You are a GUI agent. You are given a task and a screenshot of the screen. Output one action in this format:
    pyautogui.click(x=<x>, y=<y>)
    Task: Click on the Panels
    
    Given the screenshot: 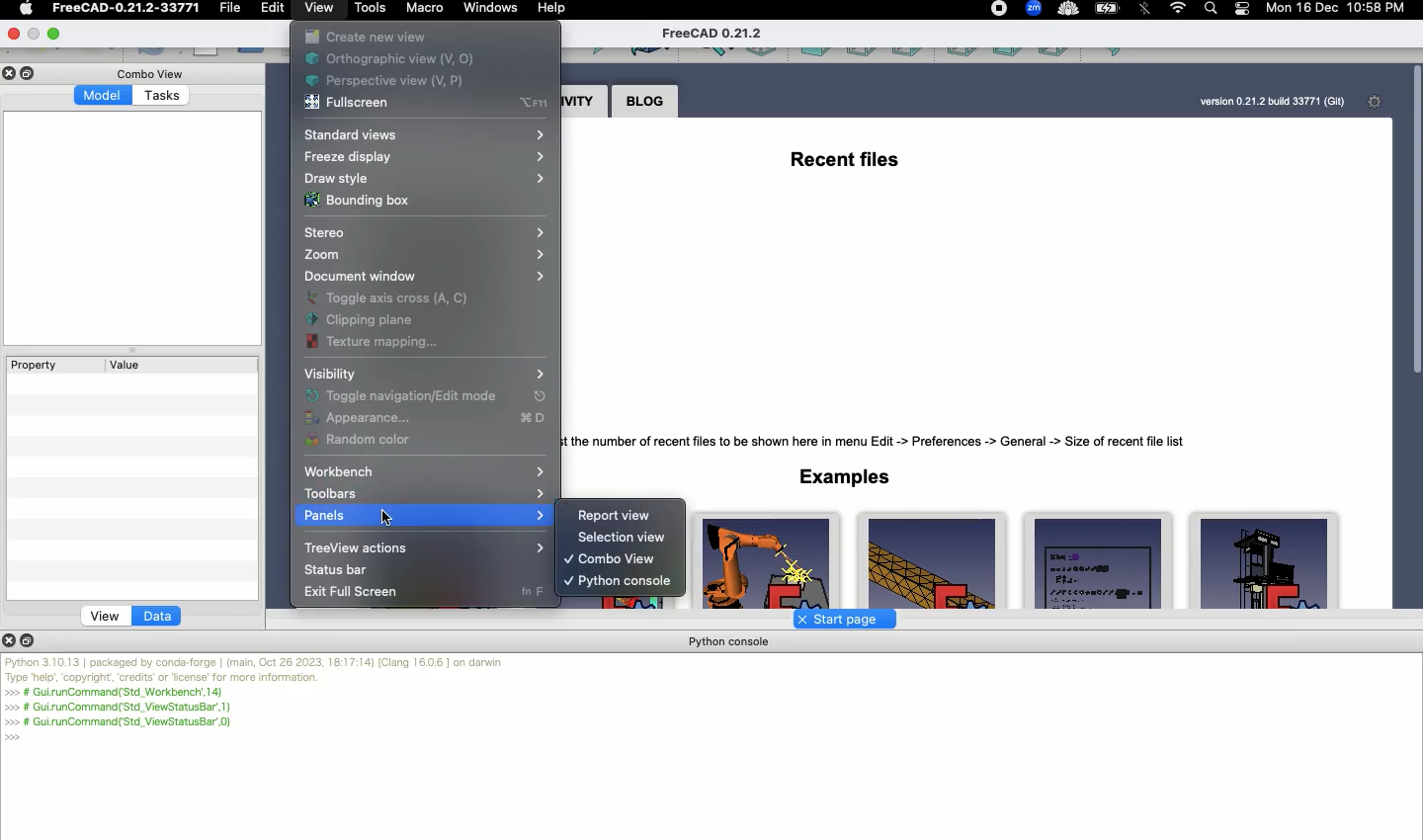 What is the action you would take?
    pyautogui.click(x=422, y=517)
    